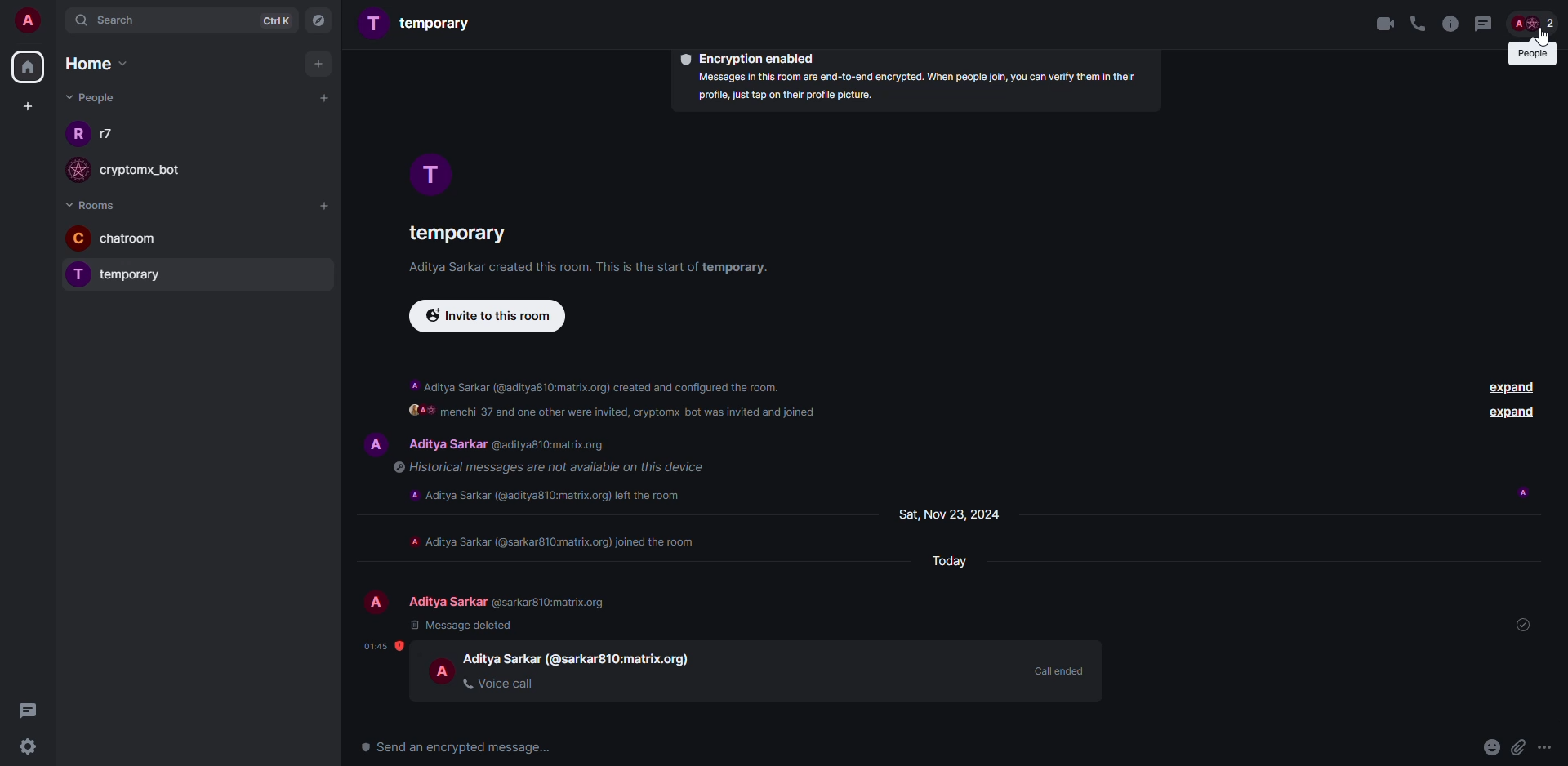 Image resolution: width=1568 pixels, height=766 pixels. I want to click on threads, so click(34, 710).